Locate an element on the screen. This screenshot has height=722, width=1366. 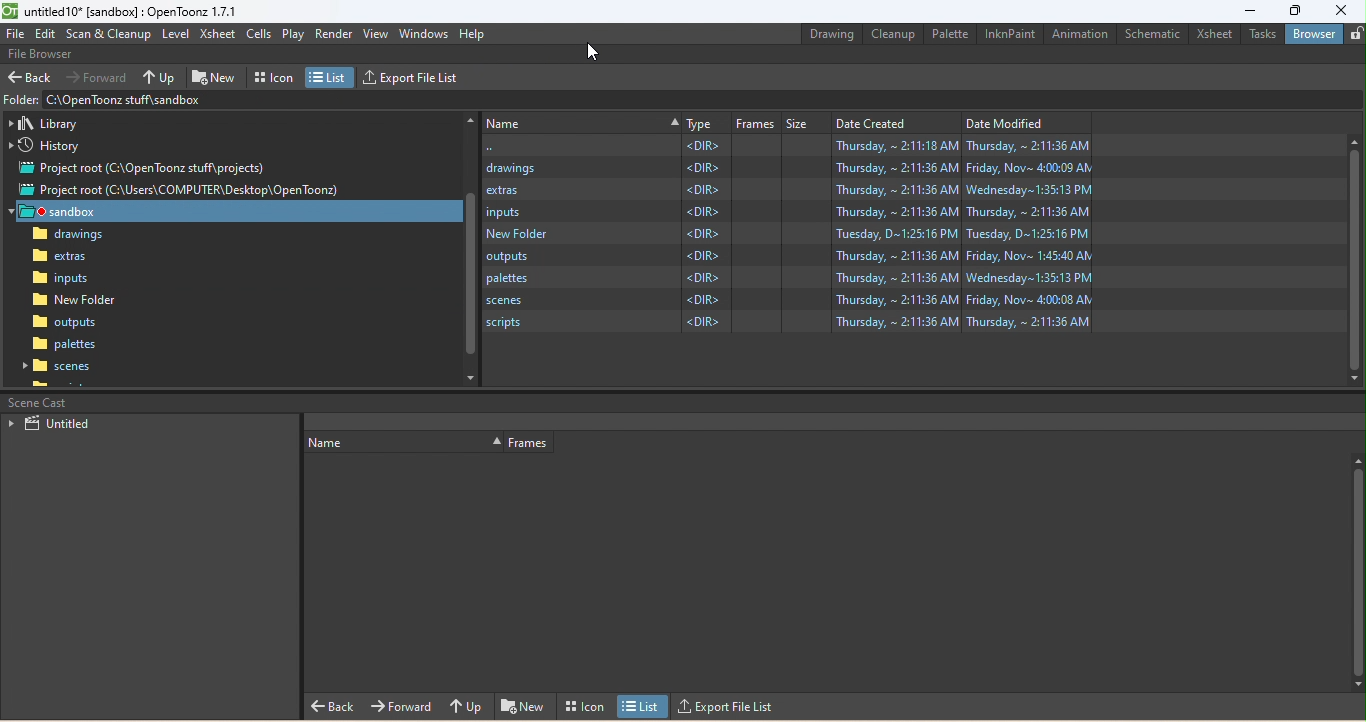
Order is located at coordinates (582, 121).